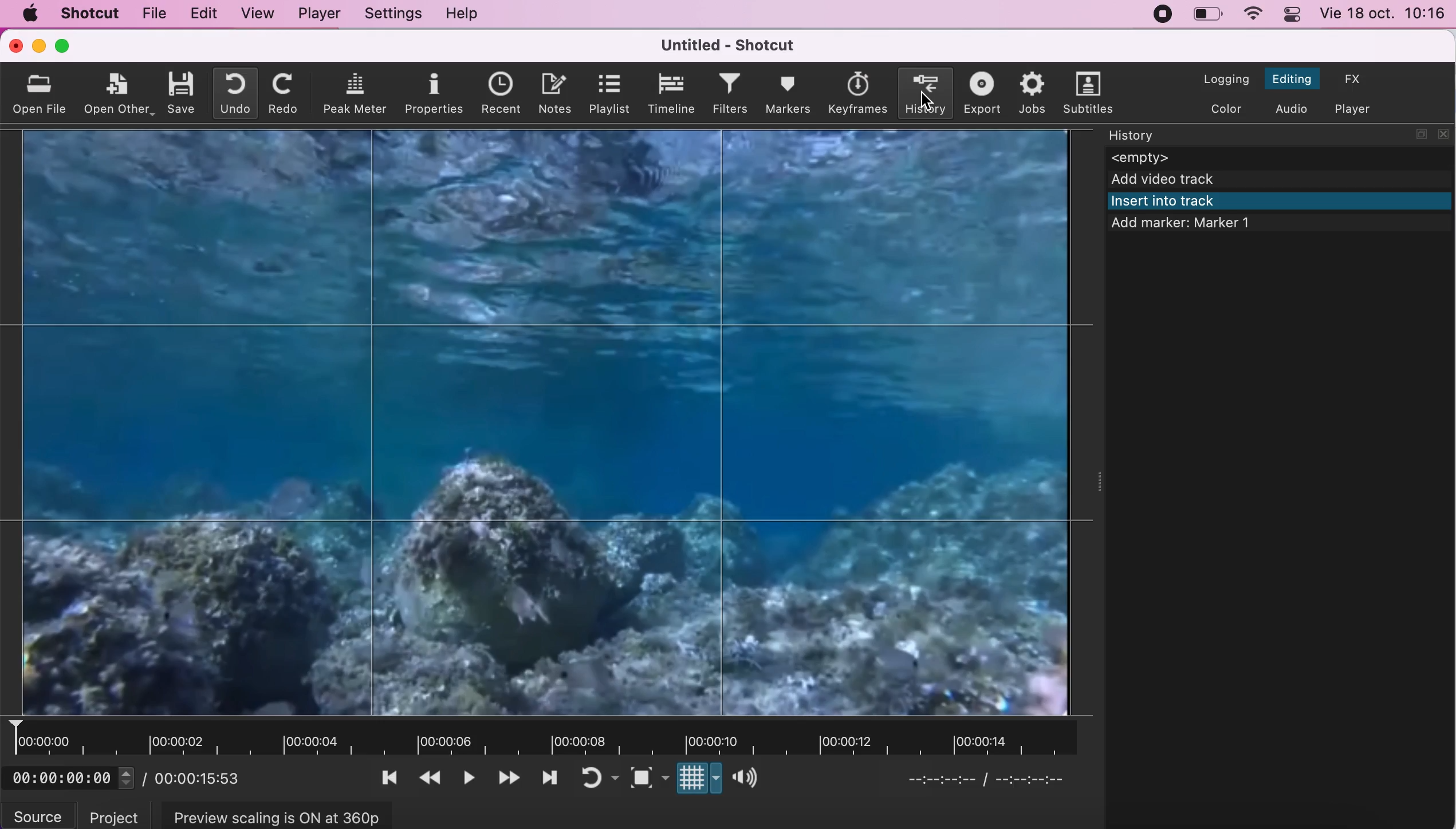 The width and height of the screenshot is (1456, 829). I want to click on help, so click(466, 13).